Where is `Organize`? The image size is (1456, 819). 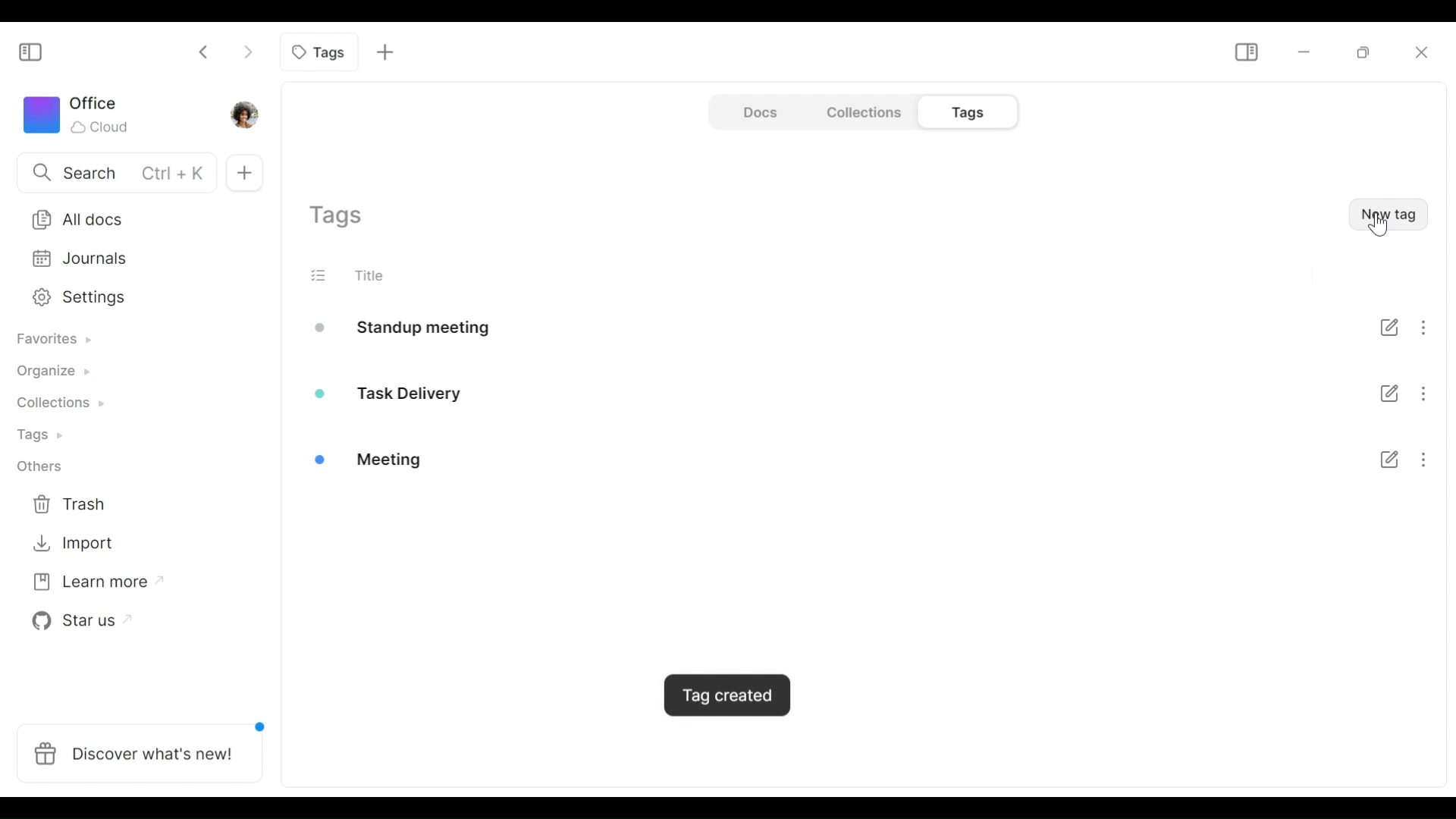
Organize is located at coordinates (57, 372).